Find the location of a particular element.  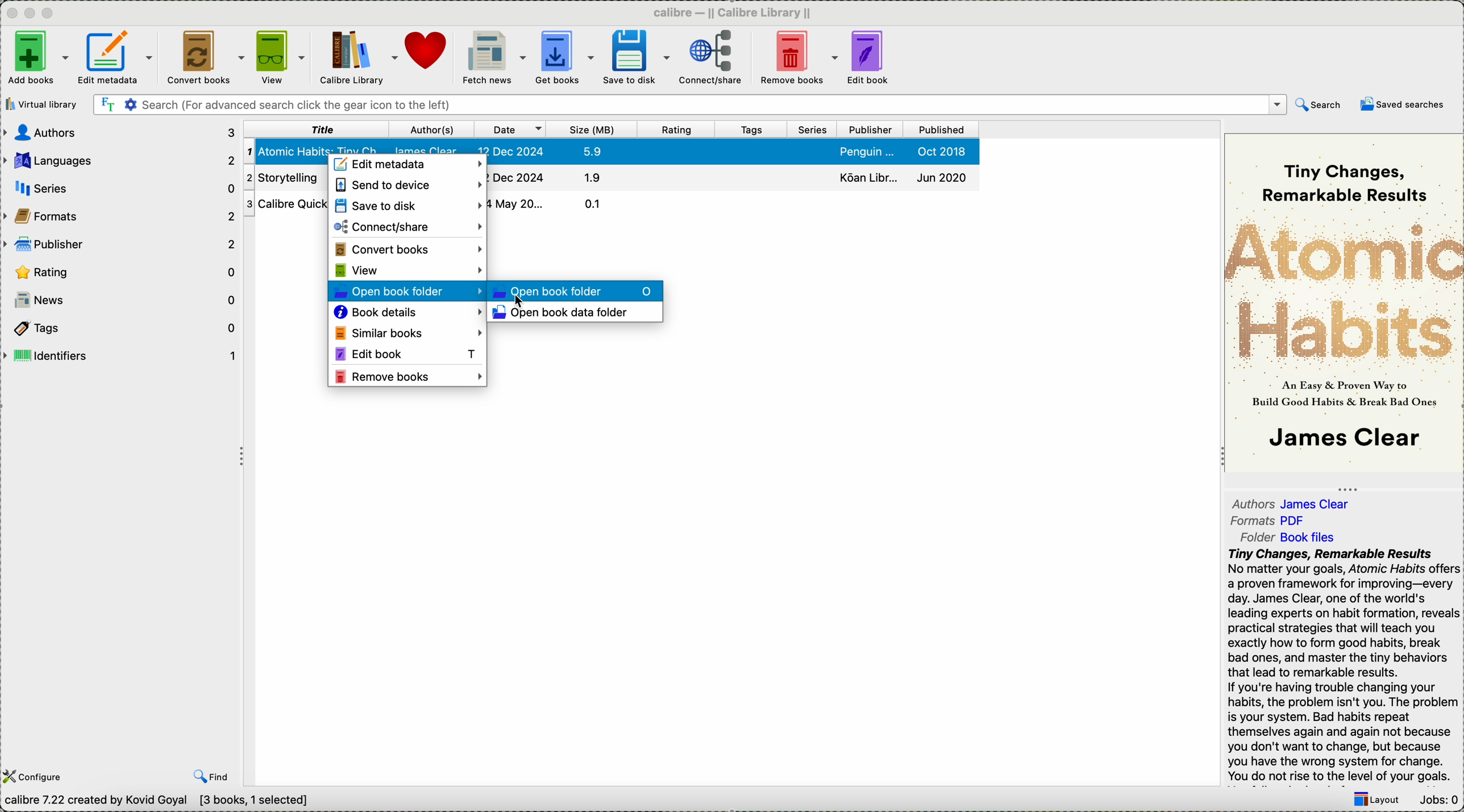

rating is located at coordinates (676, 130).